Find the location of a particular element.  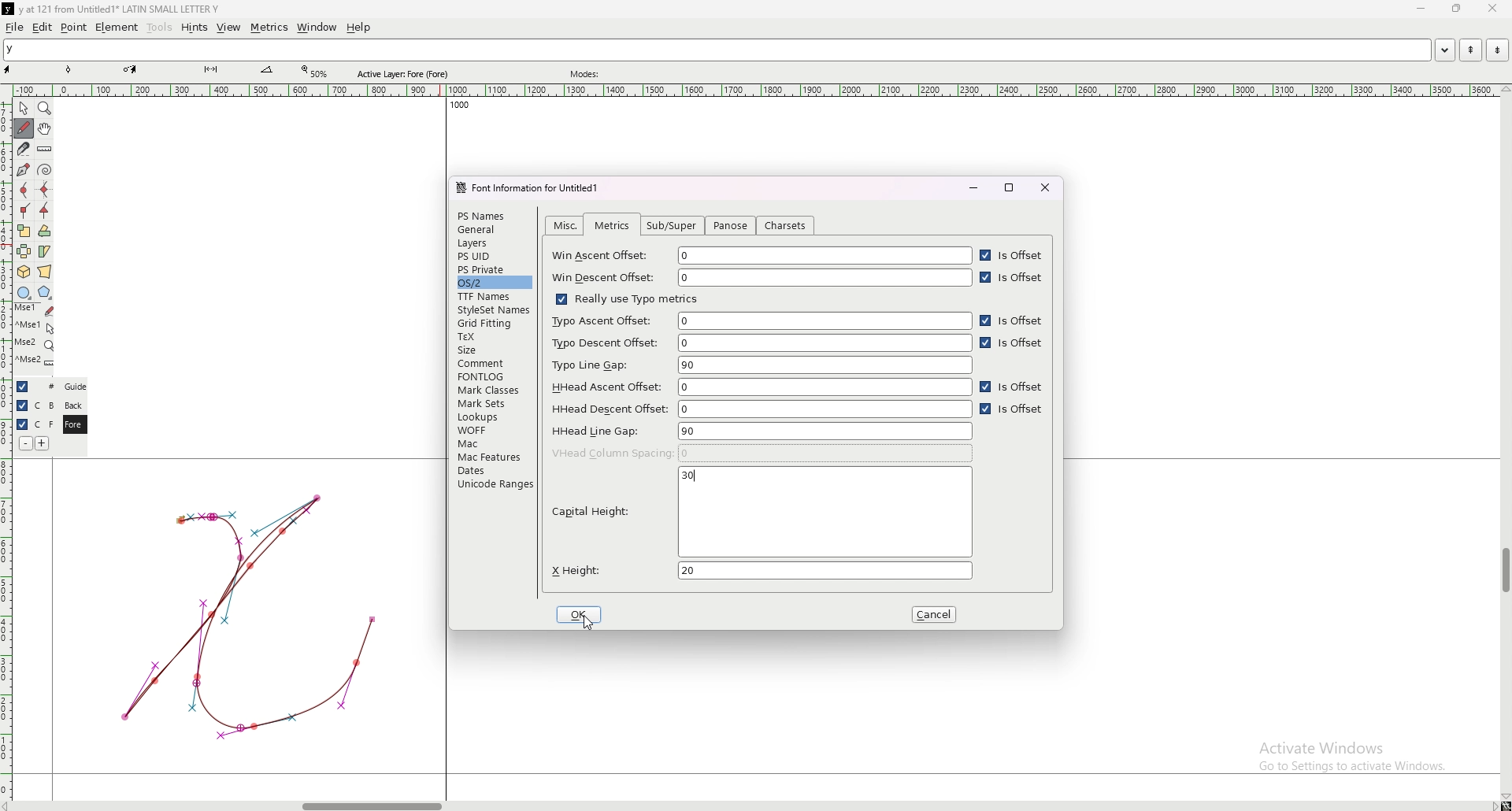

cancel is located at coordinates (936, 615).